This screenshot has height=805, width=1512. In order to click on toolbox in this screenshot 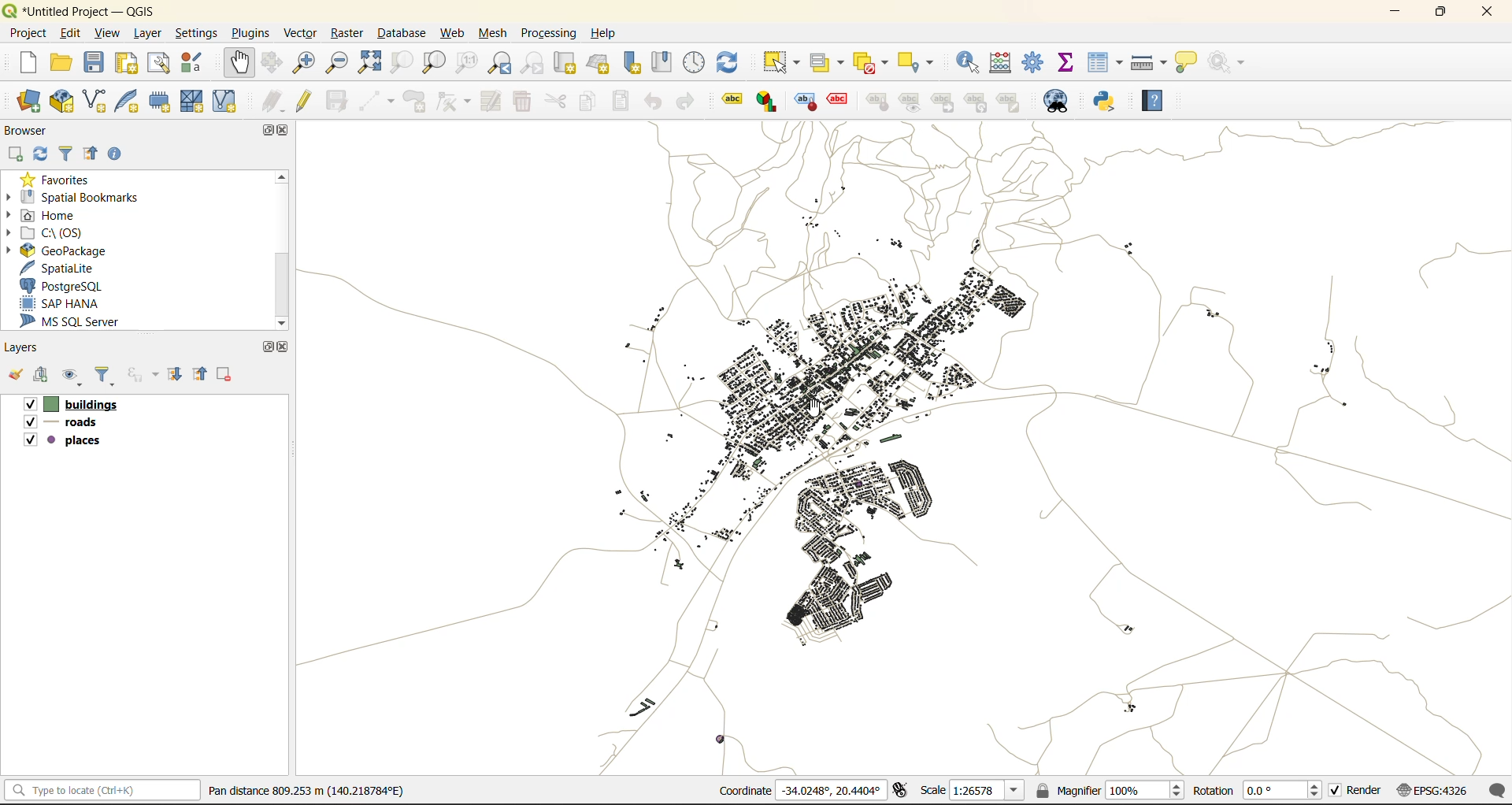, I will do `click(1035, 62)`.